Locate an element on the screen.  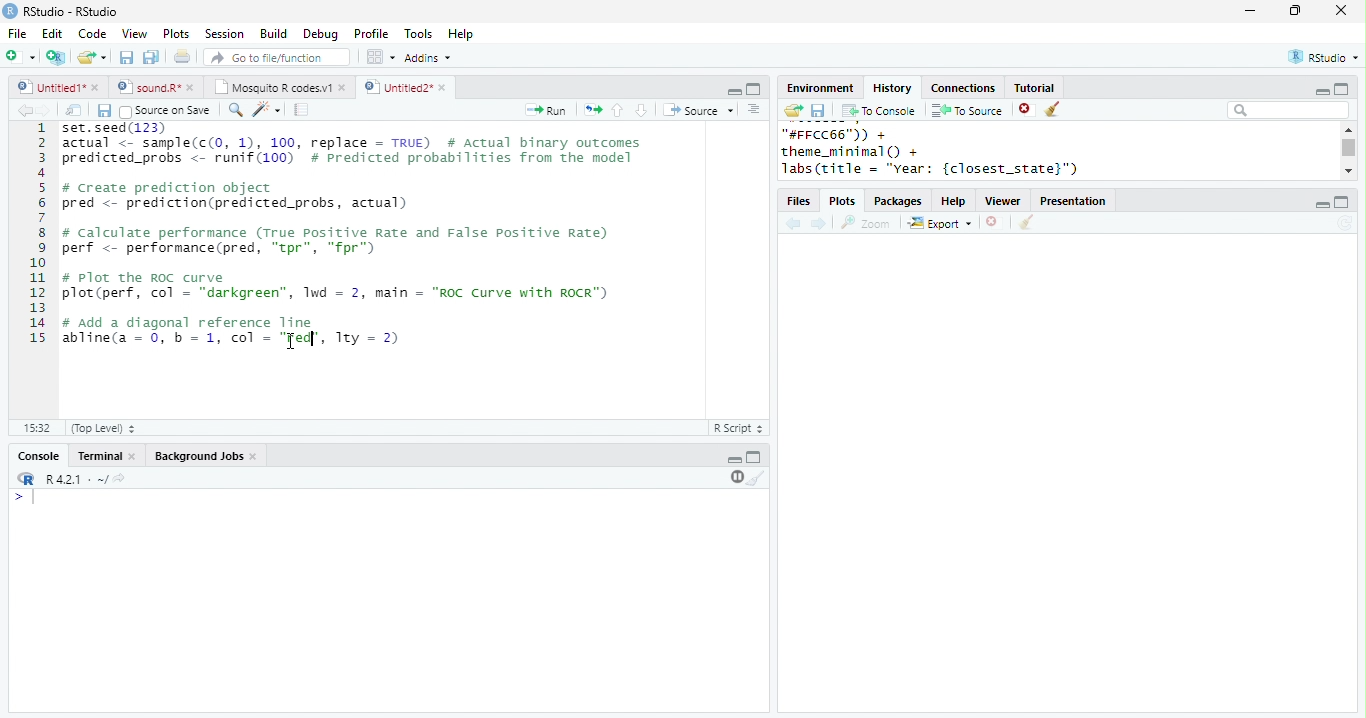
Source is located at coordinates (700, 110).